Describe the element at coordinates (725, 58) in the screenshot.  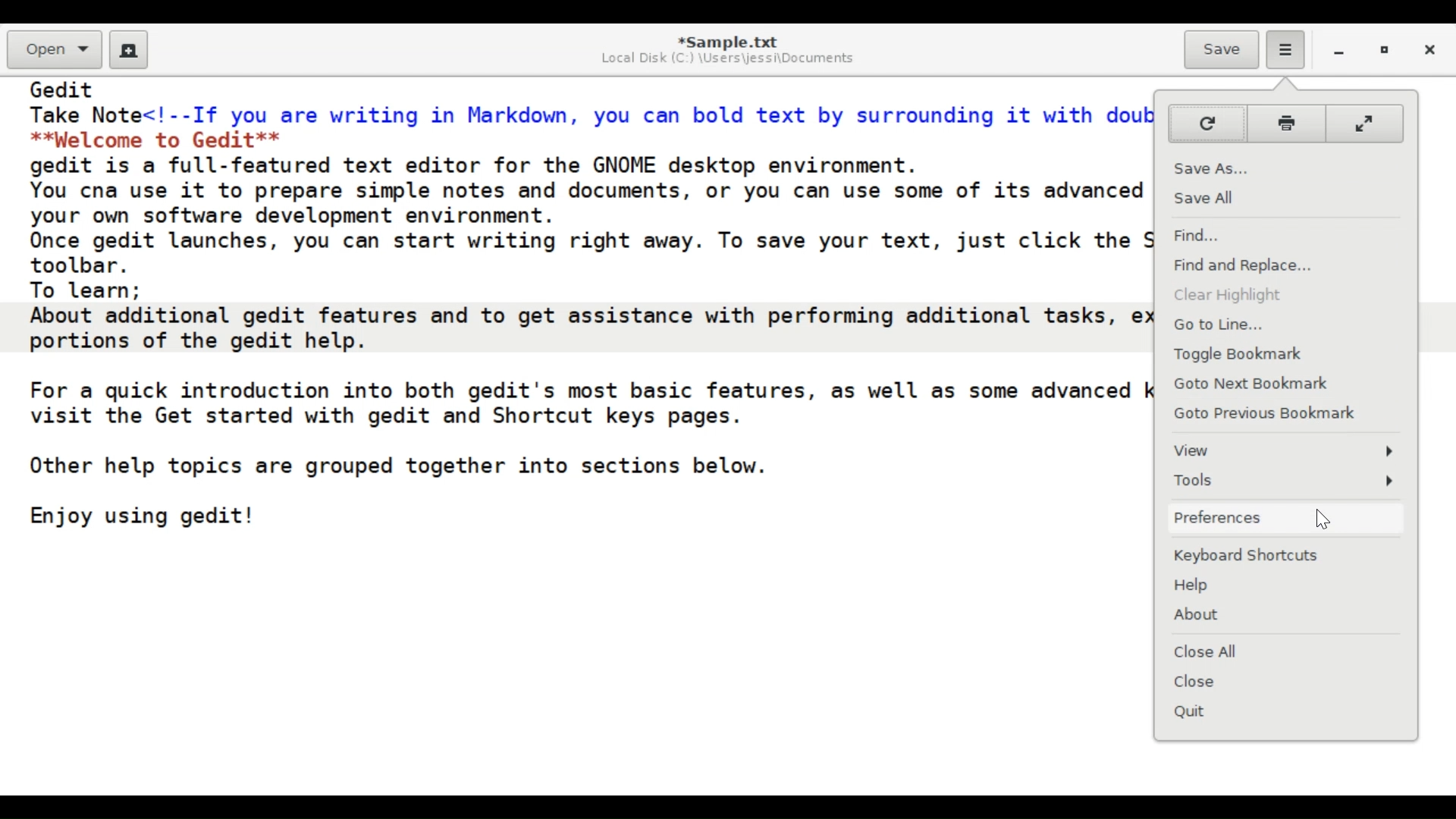
I see `Local Disk (C2) \Users\jessi\Documents` at that location.